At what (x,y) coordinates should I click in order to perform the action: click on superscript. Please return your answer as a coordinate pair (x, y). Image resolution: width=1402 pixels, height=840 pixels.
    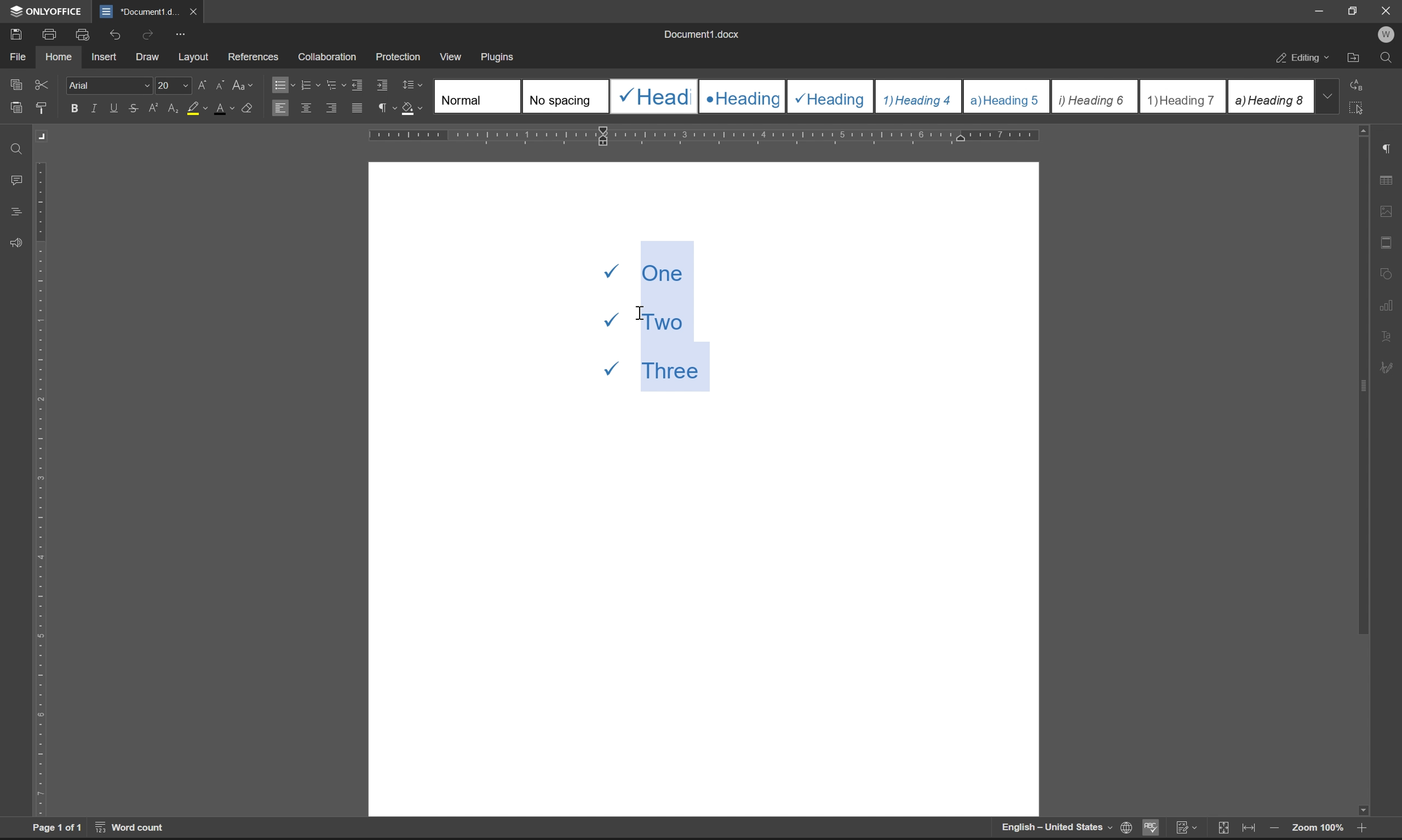
    Looking at the image, I should click on (155, 108).